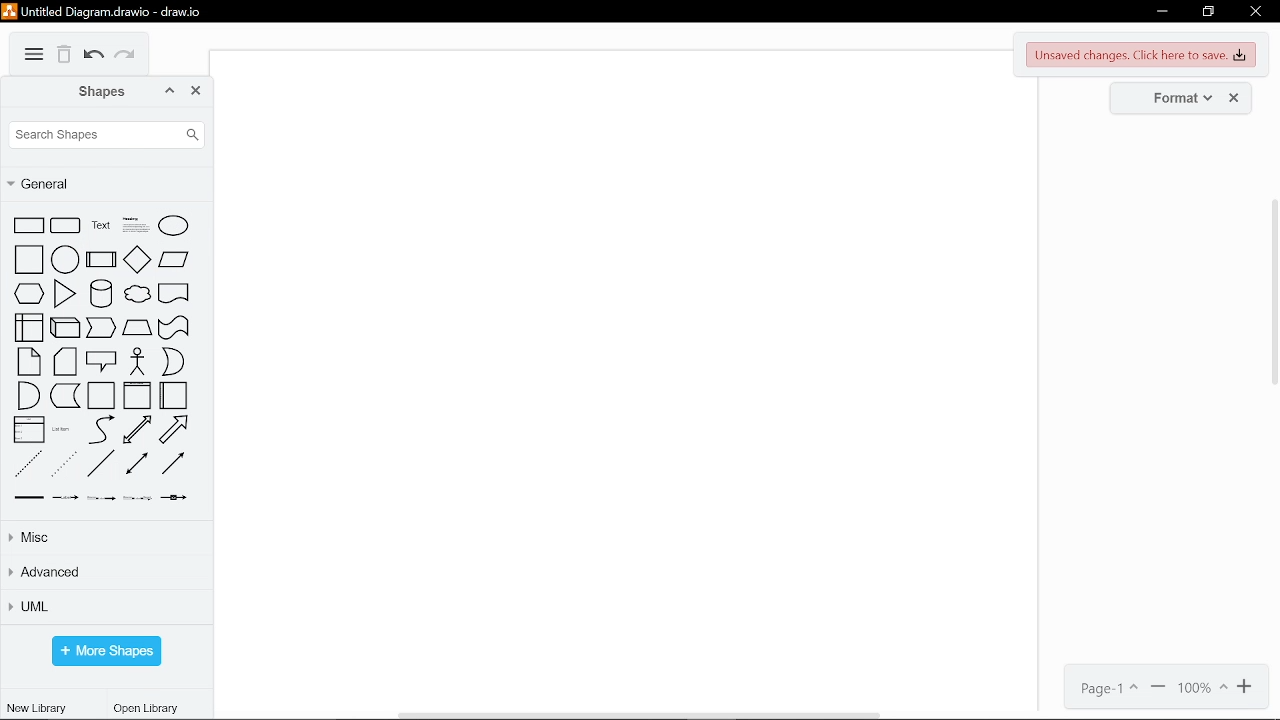 Image resolution: width=1280 pixels, height=720 pixels. Describe the element at coordinates (106, 574) in the screenshot. I see `advanced` at that location.